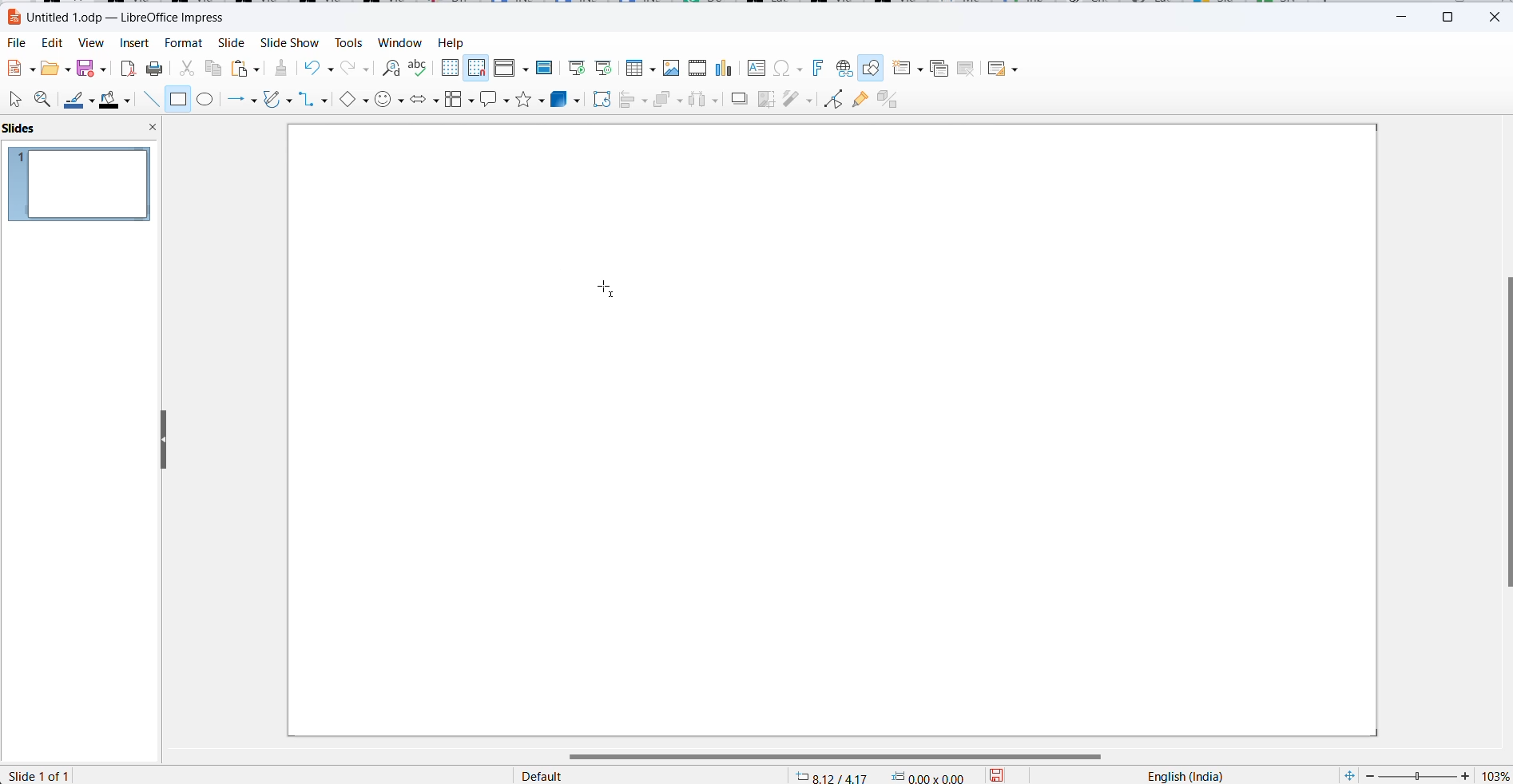 Image resolution: width=1513 pixels, height=784 pixels. What do you see at coordinates (738, 101) in the screenshot?
I see `shadow` at bounding box center [738, 101].